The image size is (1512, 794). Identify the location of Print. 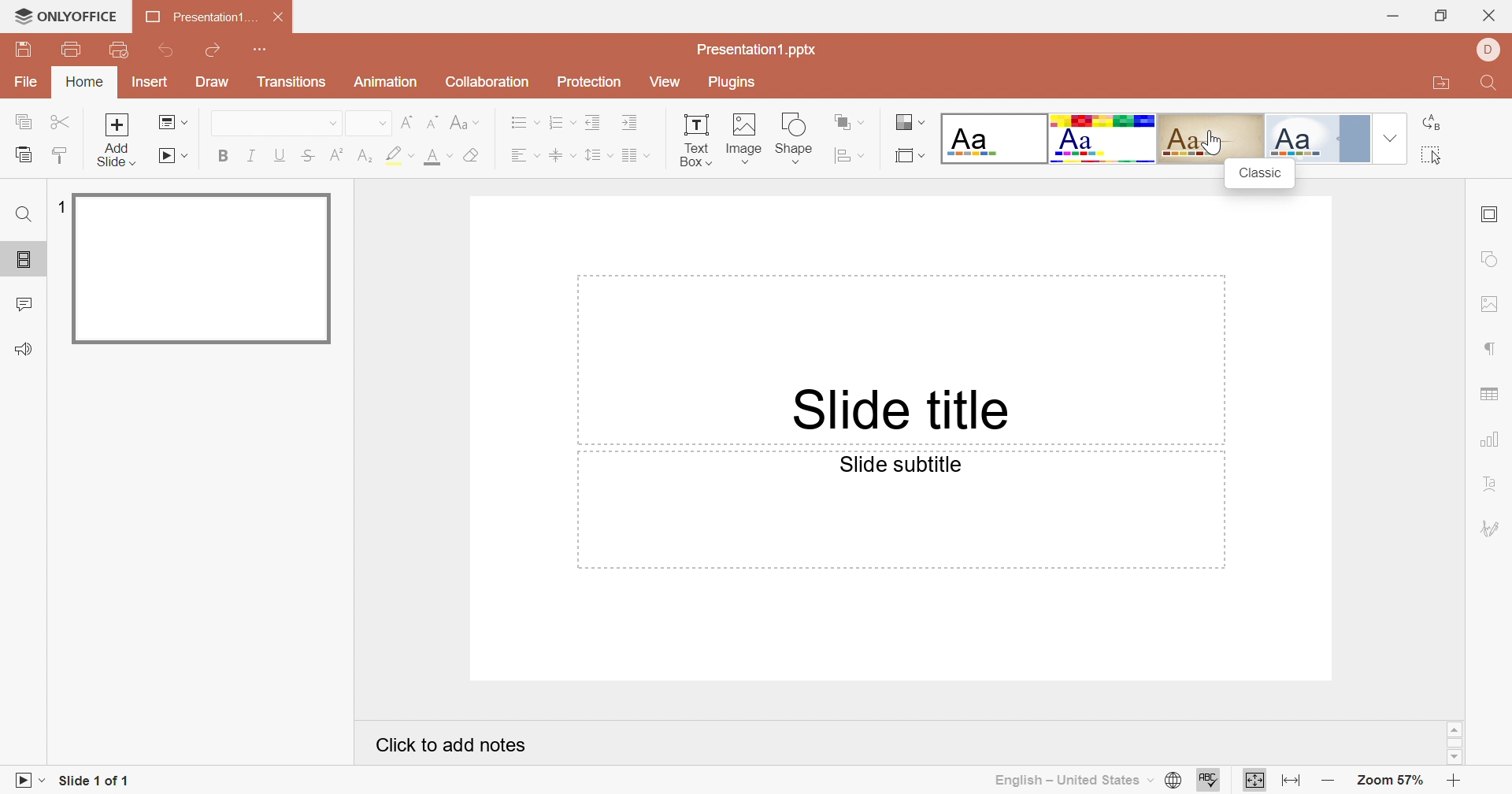
(72, 47).